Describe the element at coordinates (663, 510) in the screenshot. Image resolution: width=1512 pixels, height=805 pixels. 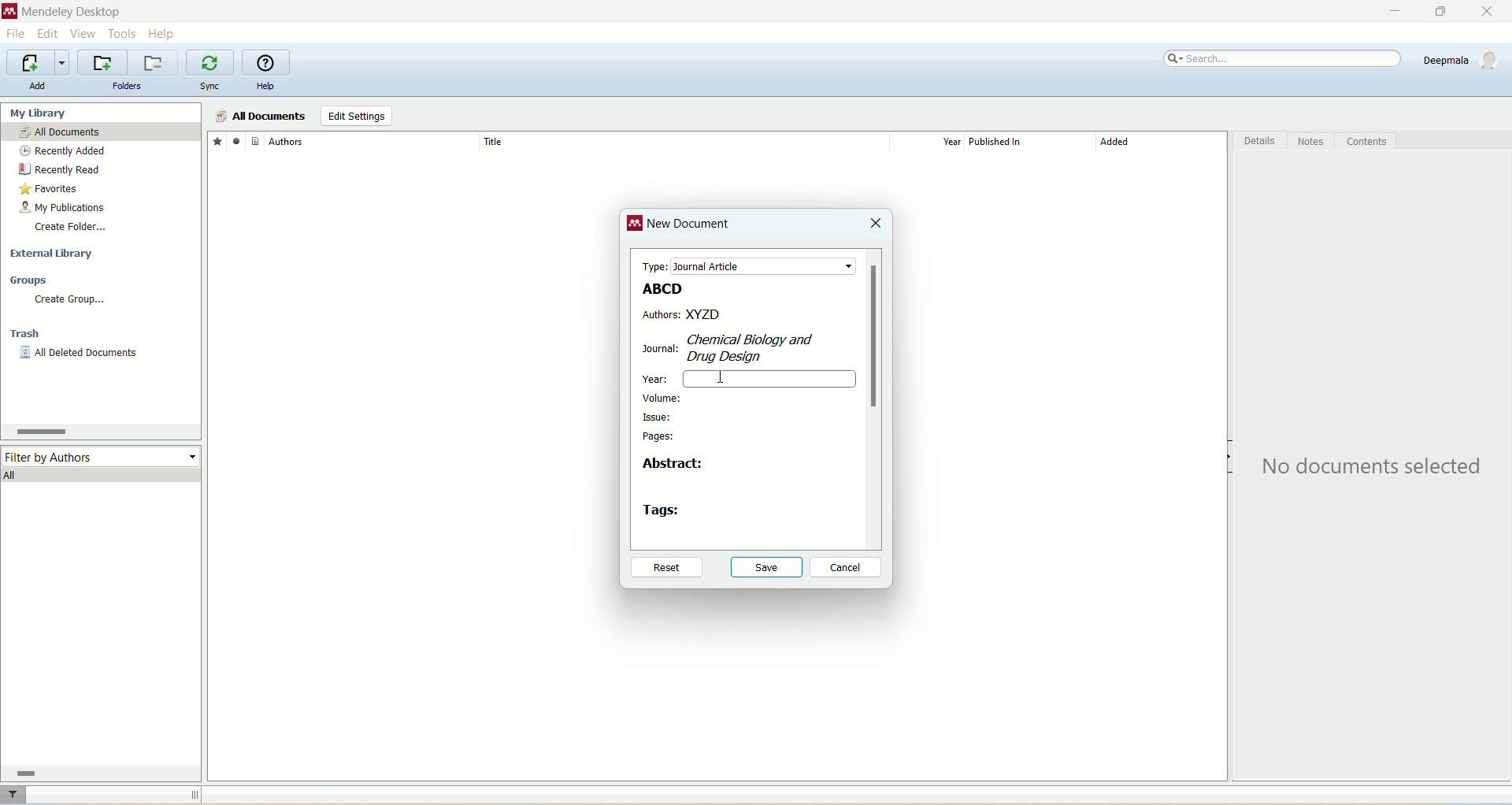
I see `tags` at that location.